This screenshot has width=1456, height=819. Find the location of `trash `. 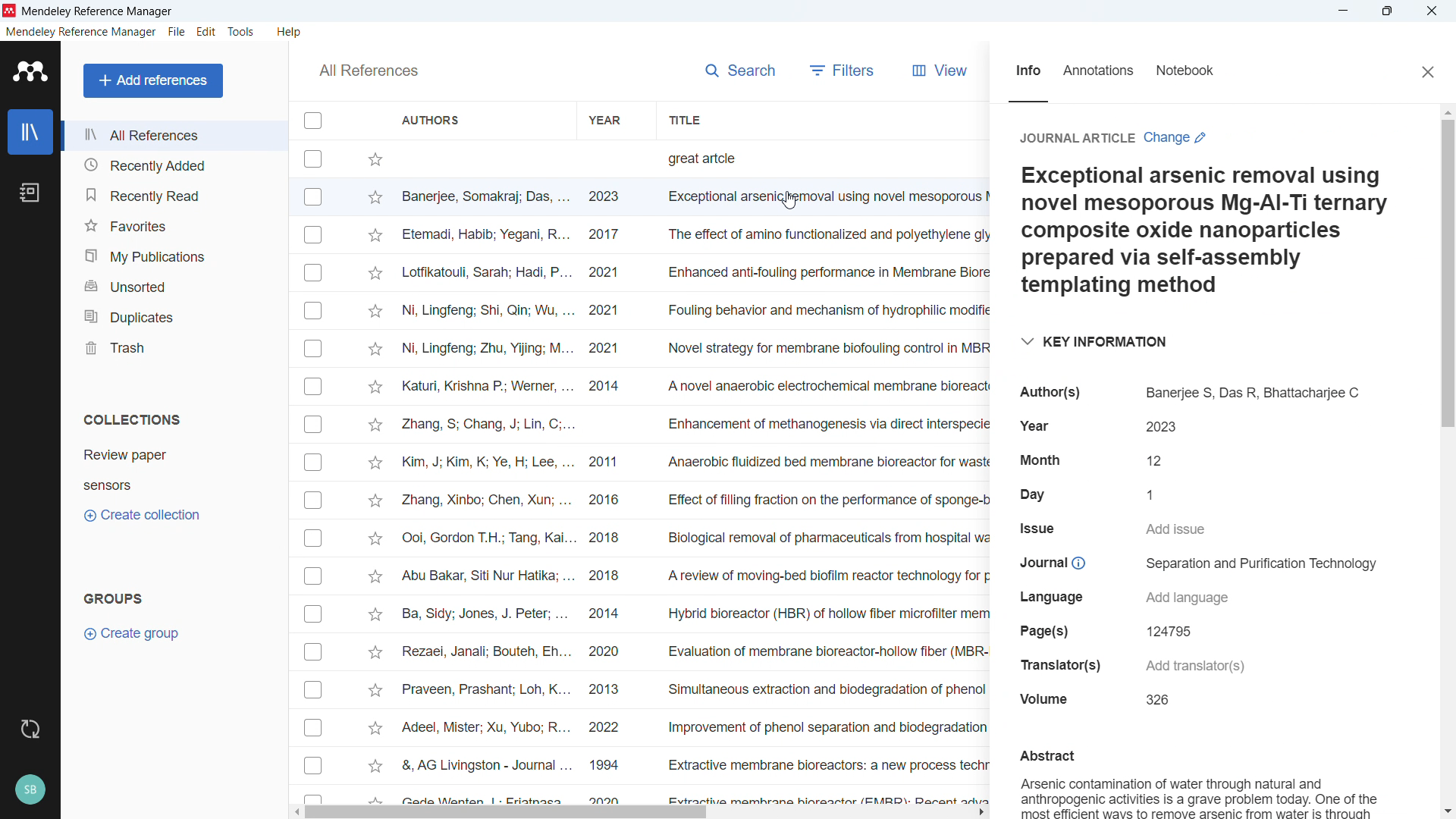

trash  is located at coordinates (173, 347).